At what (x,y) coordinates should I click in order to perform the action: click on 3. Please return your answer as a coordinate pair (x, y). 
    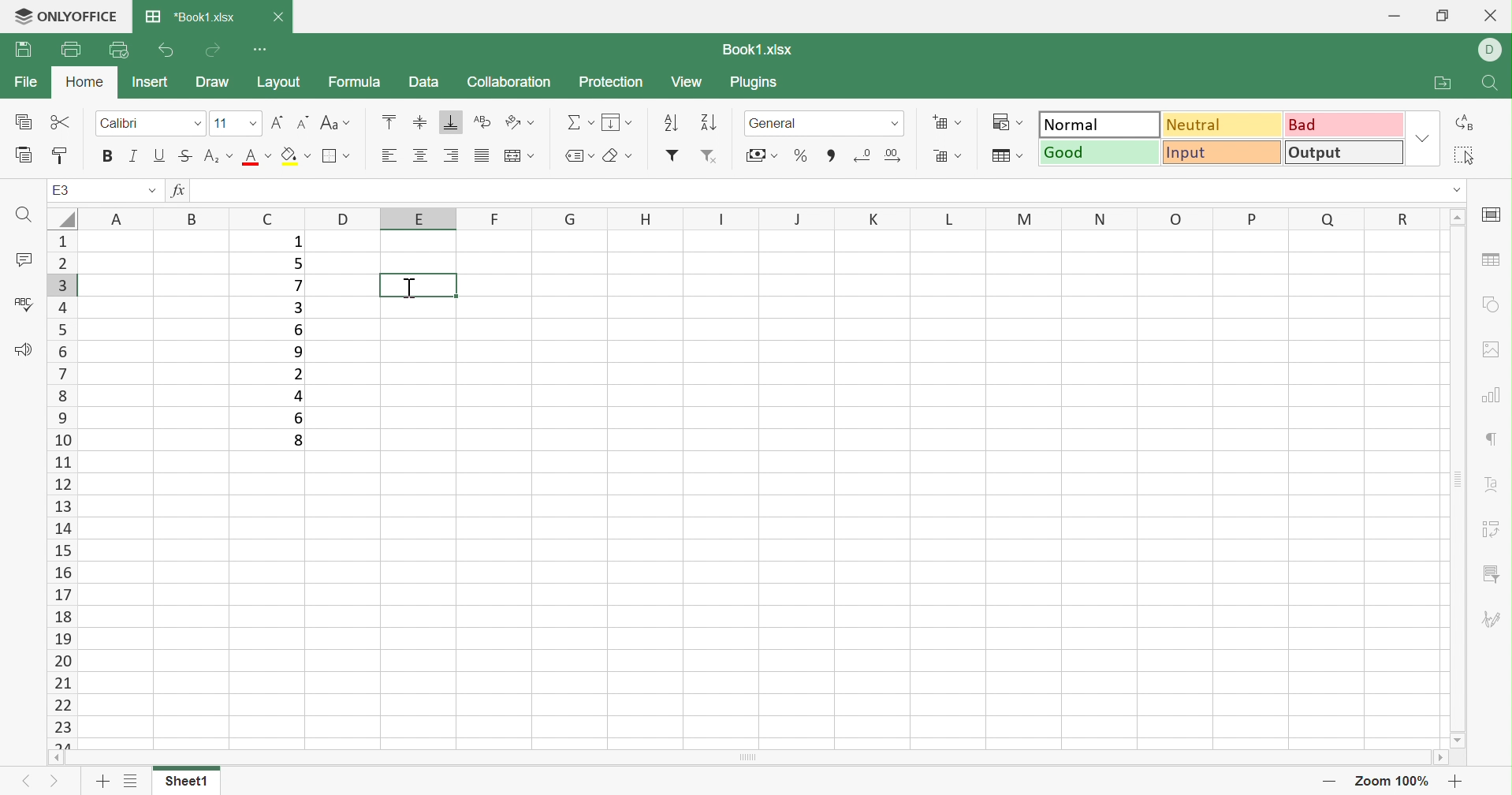
    Looking at the image, I should click on (298, 308).